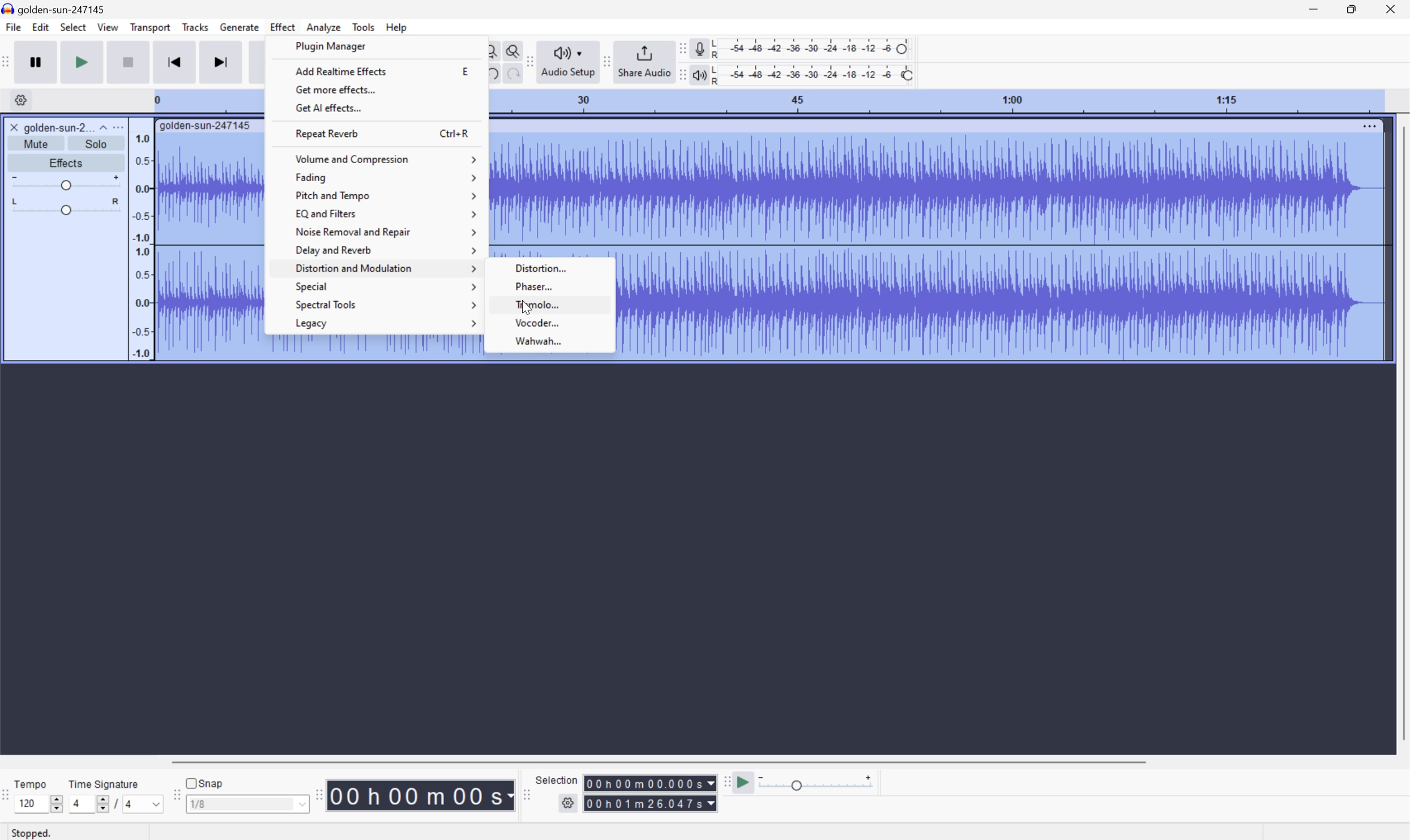 Image resolution: width=1410 pixels, height=840 pixels. What do you see at coordinates (241, 28) in the screenshot?
I see `Generate` at bounding box center [241, 28].